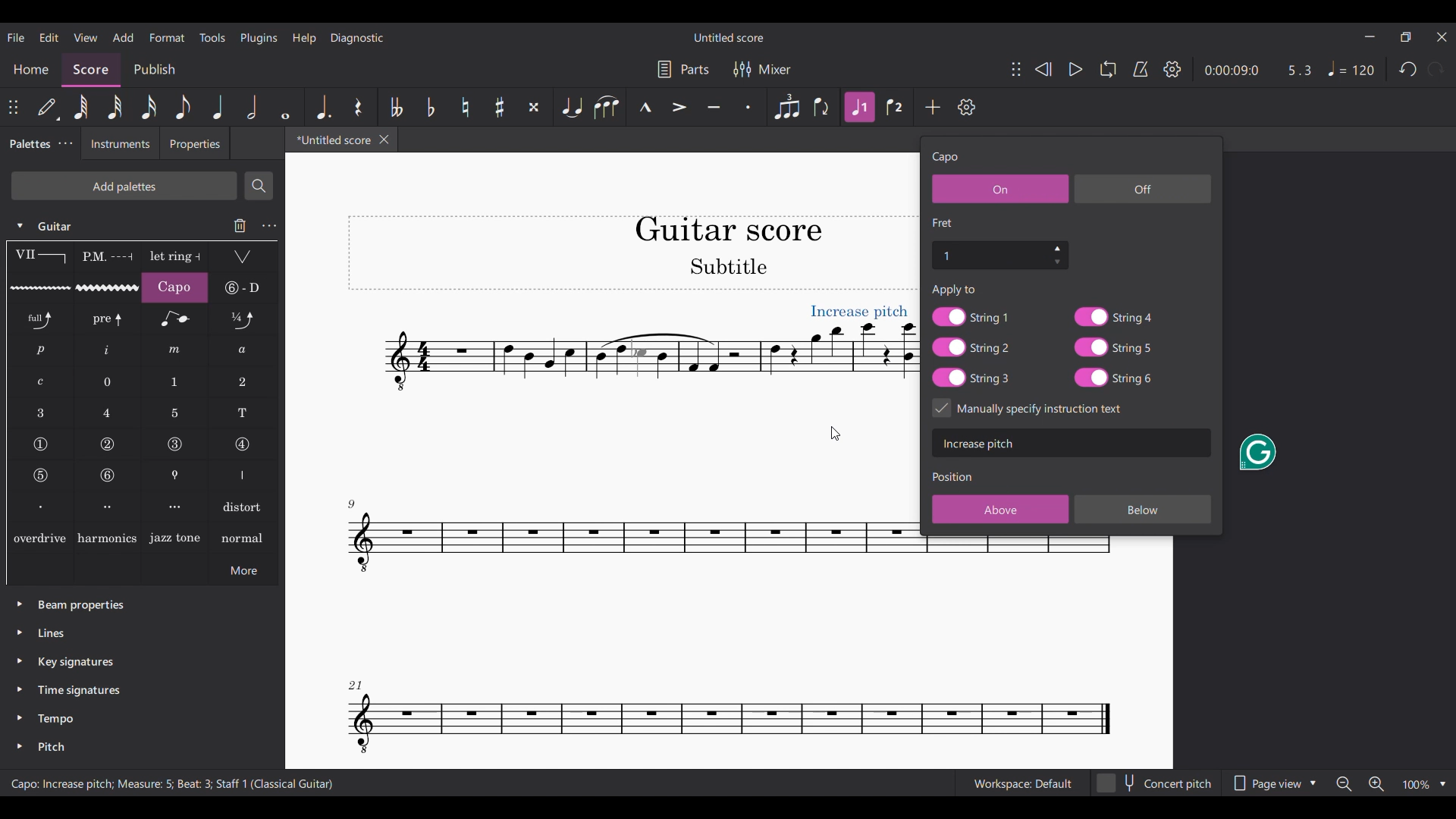  I want to click on Right hand fingering, second finger, so click(108, 507).